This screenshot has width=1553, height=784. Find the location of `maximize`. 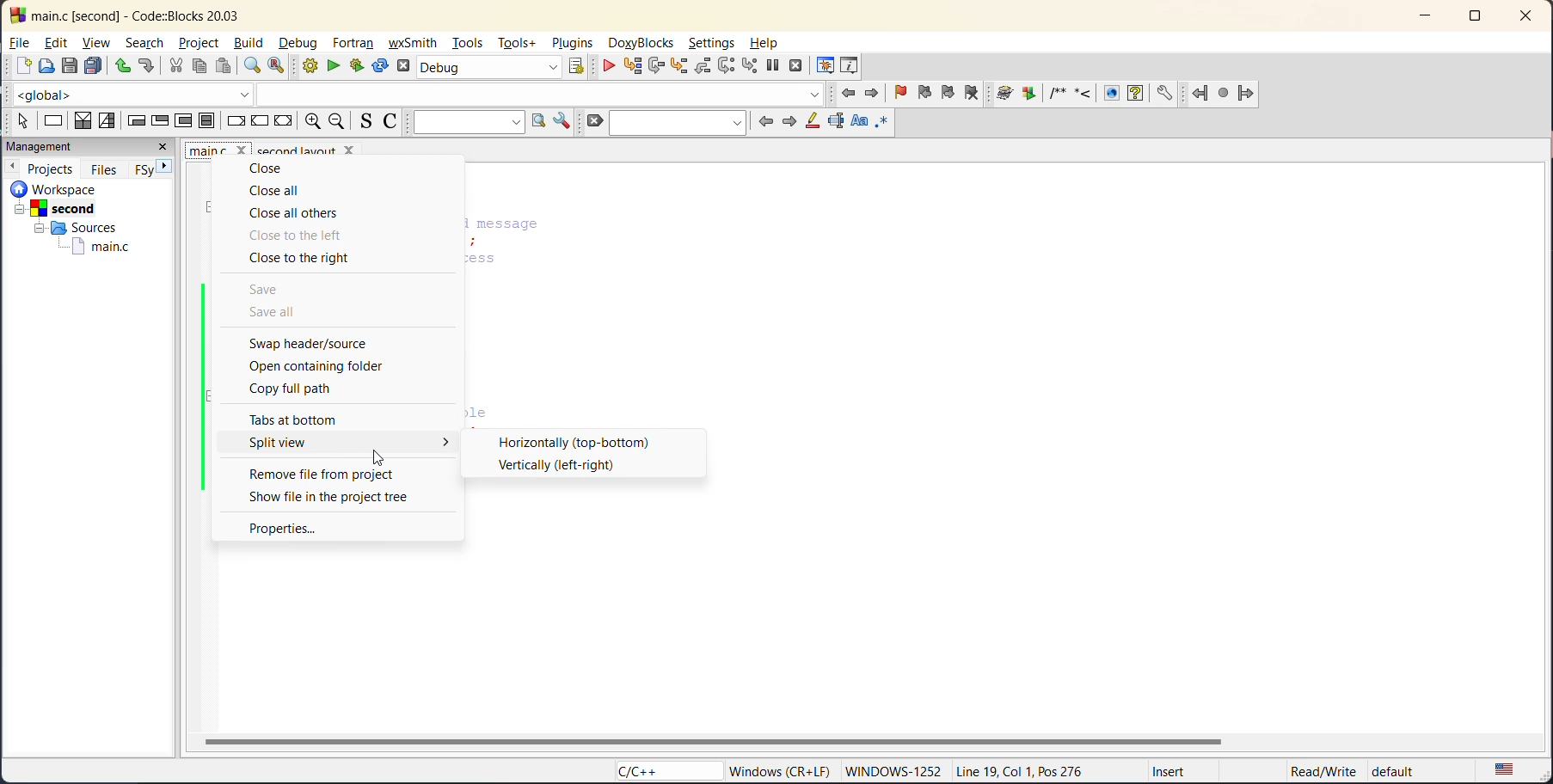

maximize is located at coordinates (1479, 17).